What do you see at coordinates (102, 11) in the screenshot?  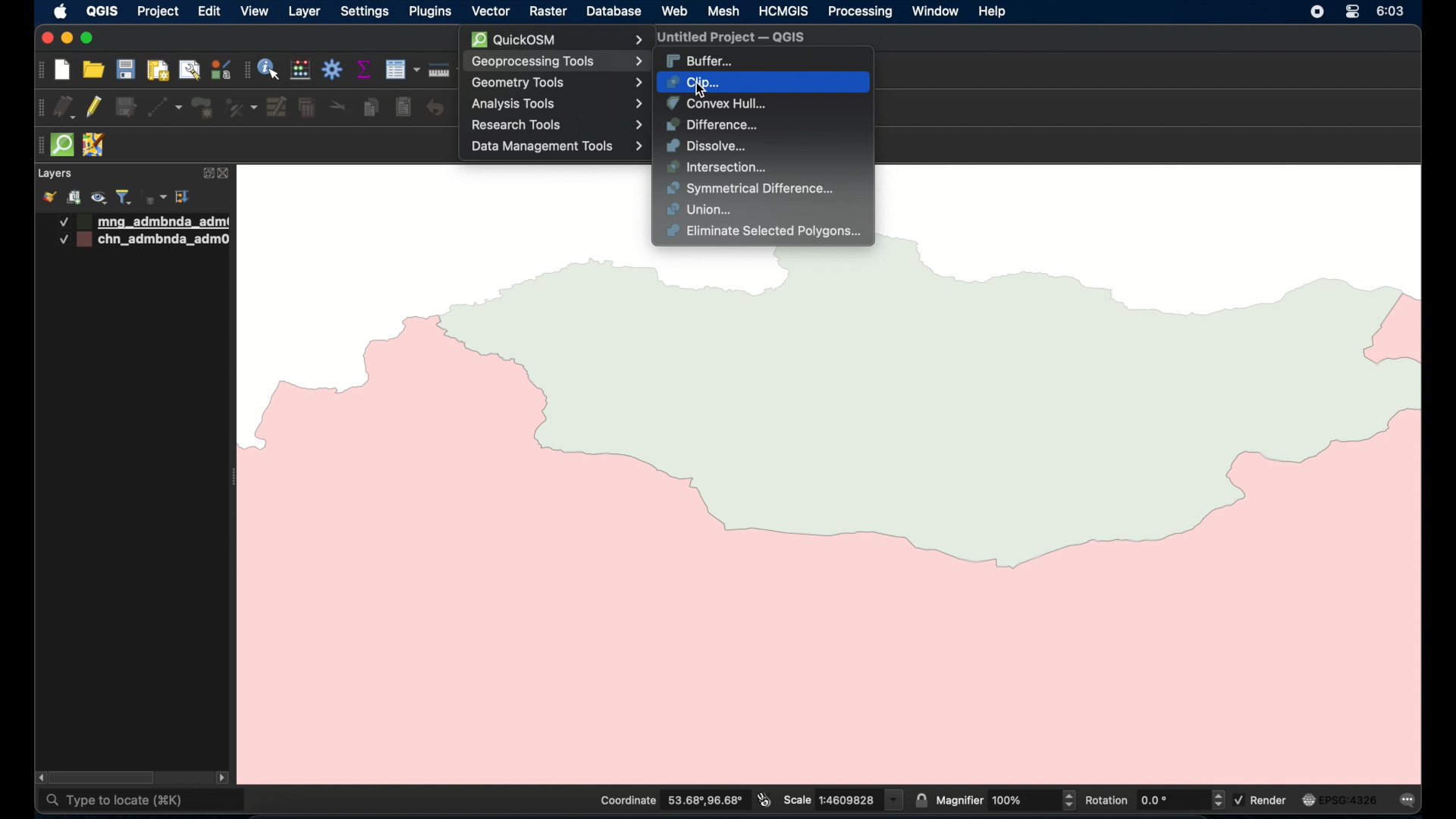 I see `QGIS` at bounding box center [102, 11].